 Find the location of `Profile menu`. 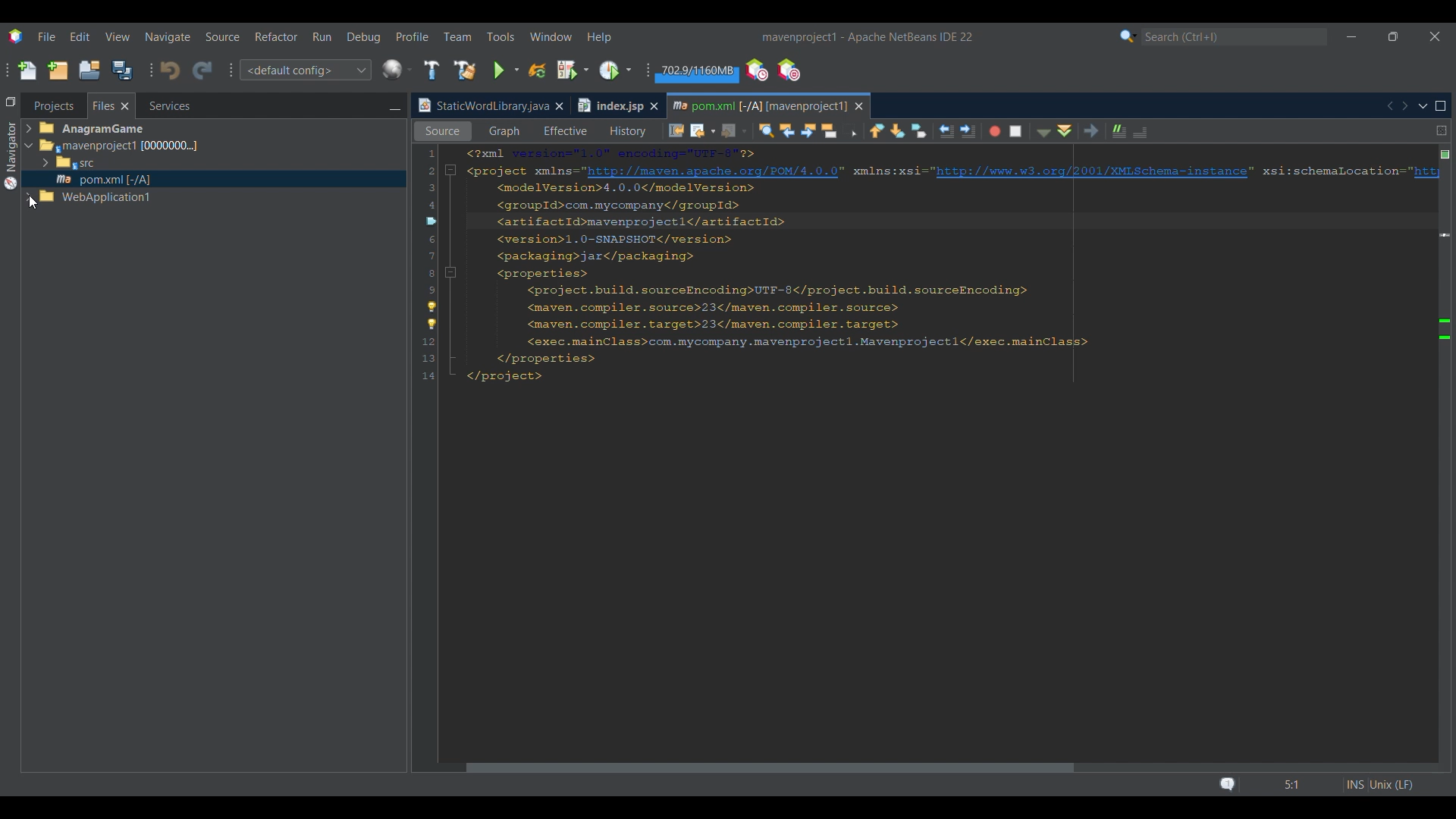

Profile menu is located at coordinates (413, 36).